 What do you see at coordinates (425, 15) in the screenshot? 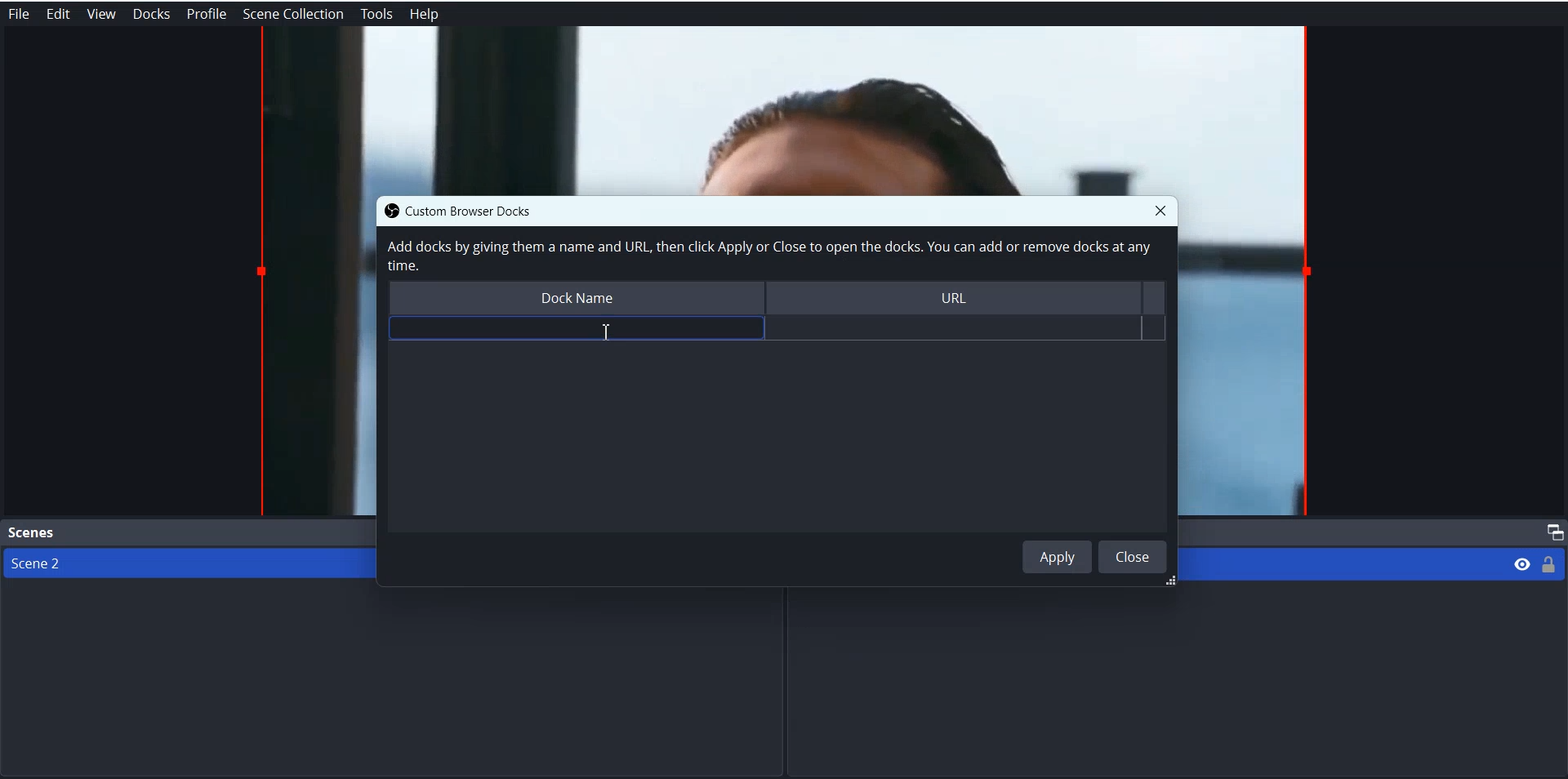
I see `Help` at bounding box center [425, 15].